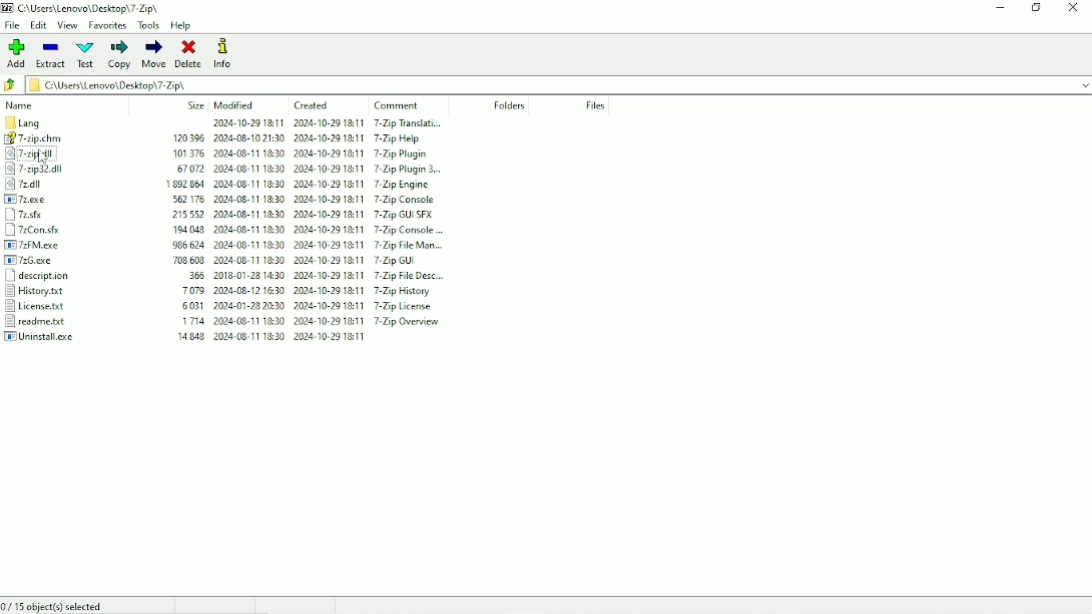 This screenshot has height=614, width=1092. What do you see at coordinates (213, 337) in the screenshot?
I see `Uninstall.exe` at bounding box center [213, 337].